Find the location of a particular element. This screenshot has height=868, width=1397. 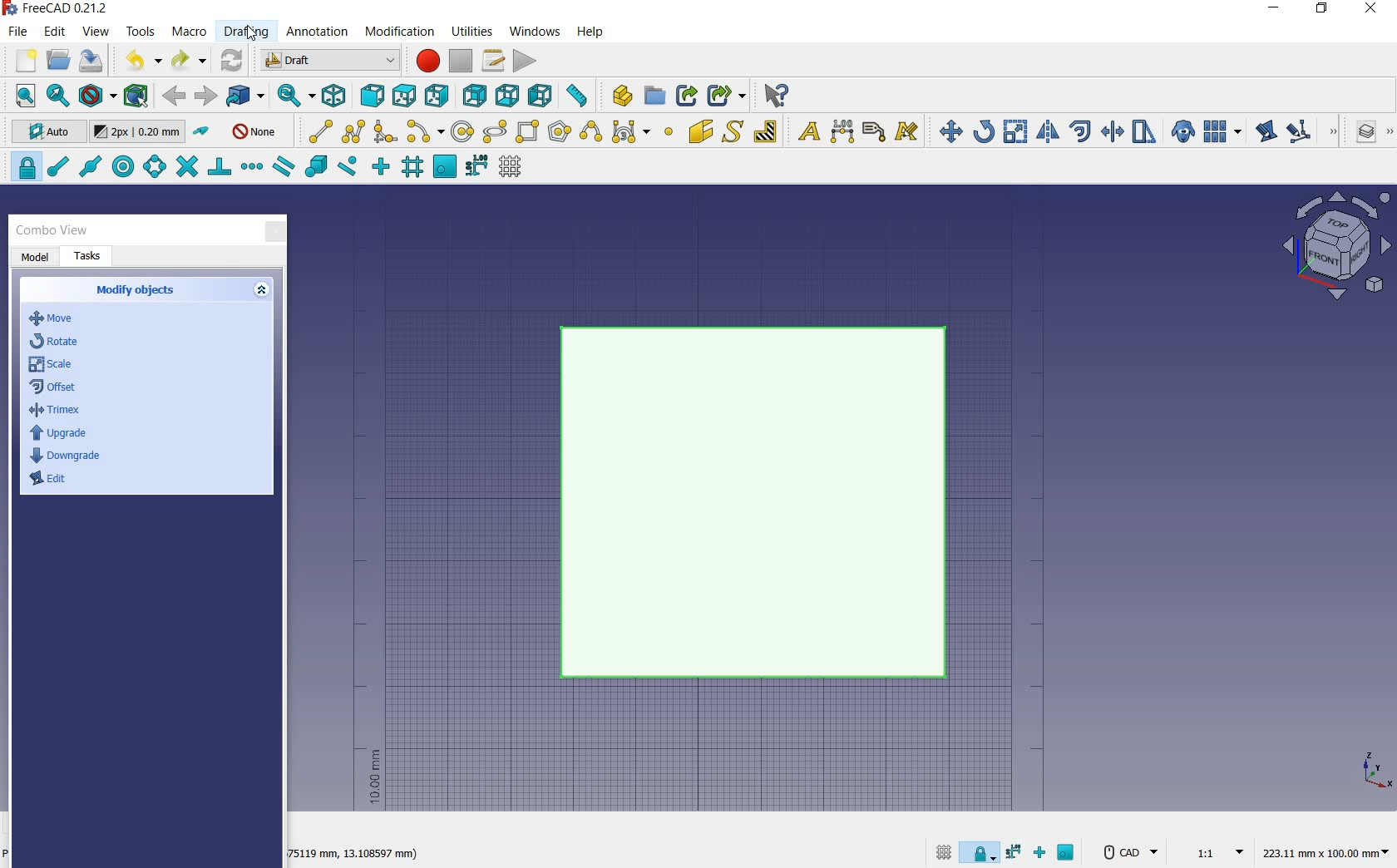

combo view is located at coordinates (52, 230).